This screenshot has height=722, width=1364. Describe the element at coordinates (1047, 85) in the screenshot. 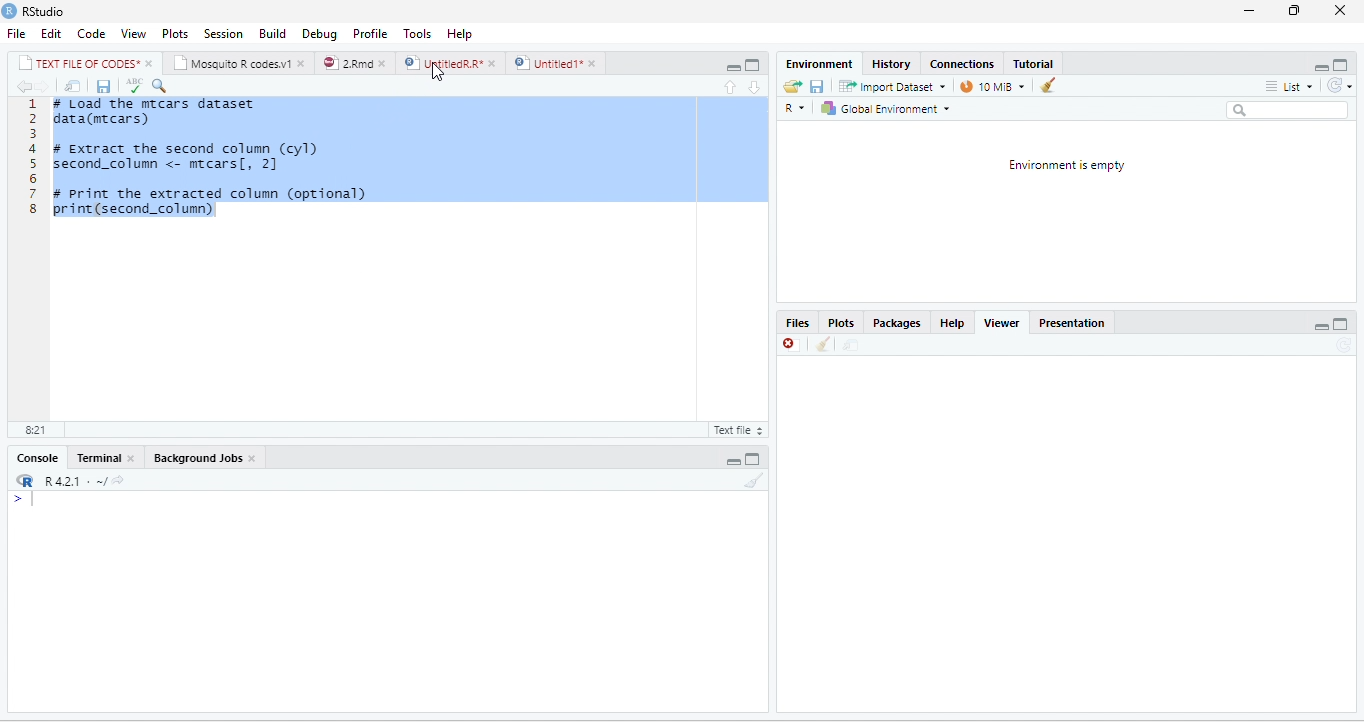

I see `clear` at that location.